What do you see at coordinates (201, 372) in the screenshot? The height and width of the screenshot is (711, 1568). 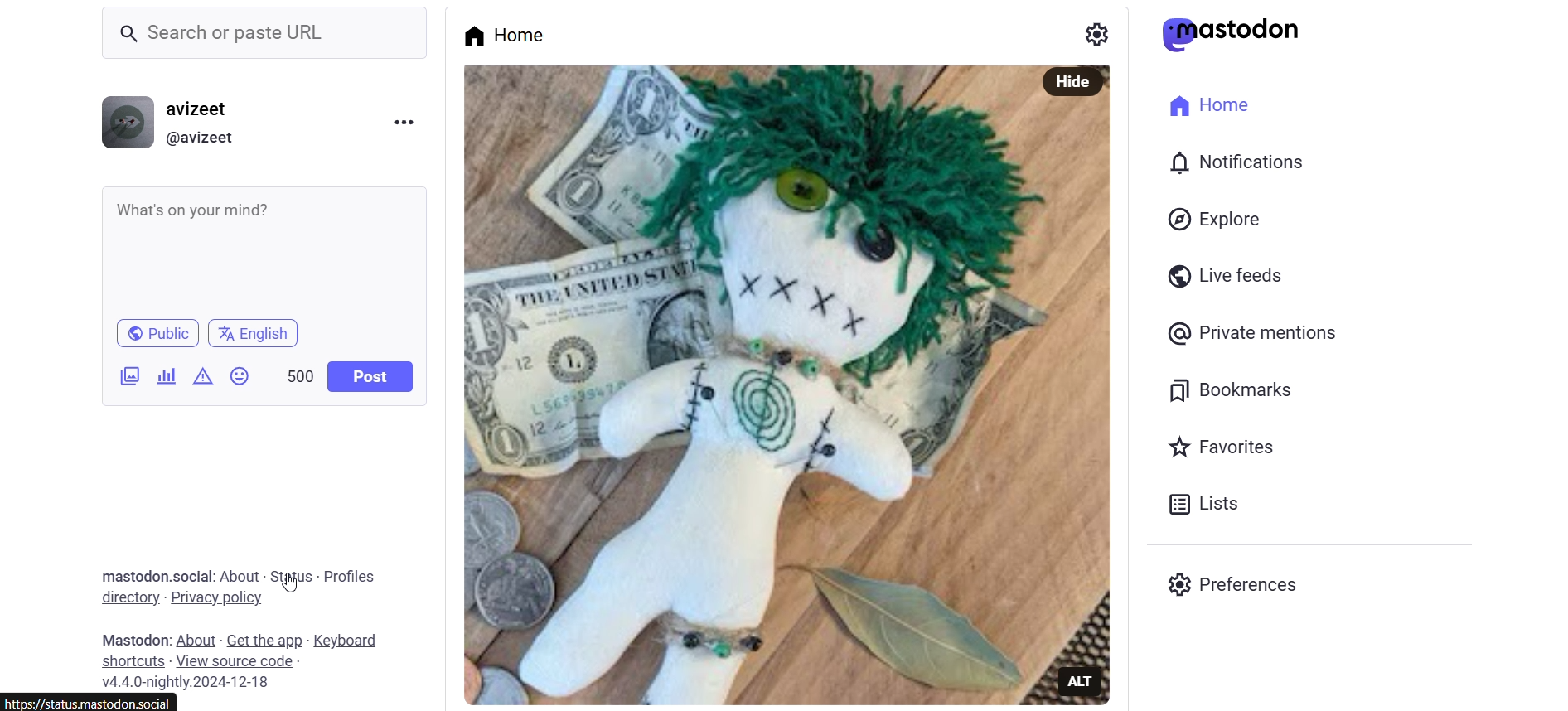 I see `content warning` at bounding box center [201, 372].